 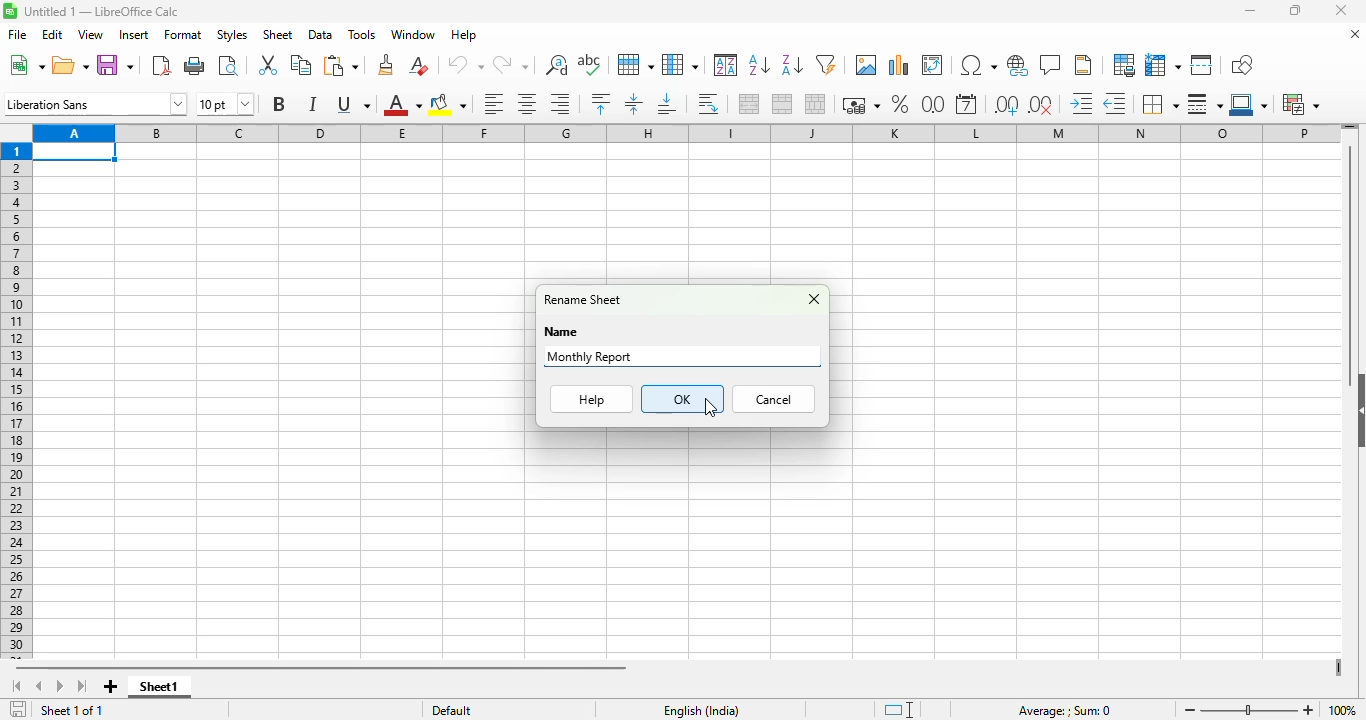 What do you see at coordinates (321, 35) in the screenshot?
I see `data` at bounding box center [321, 35].